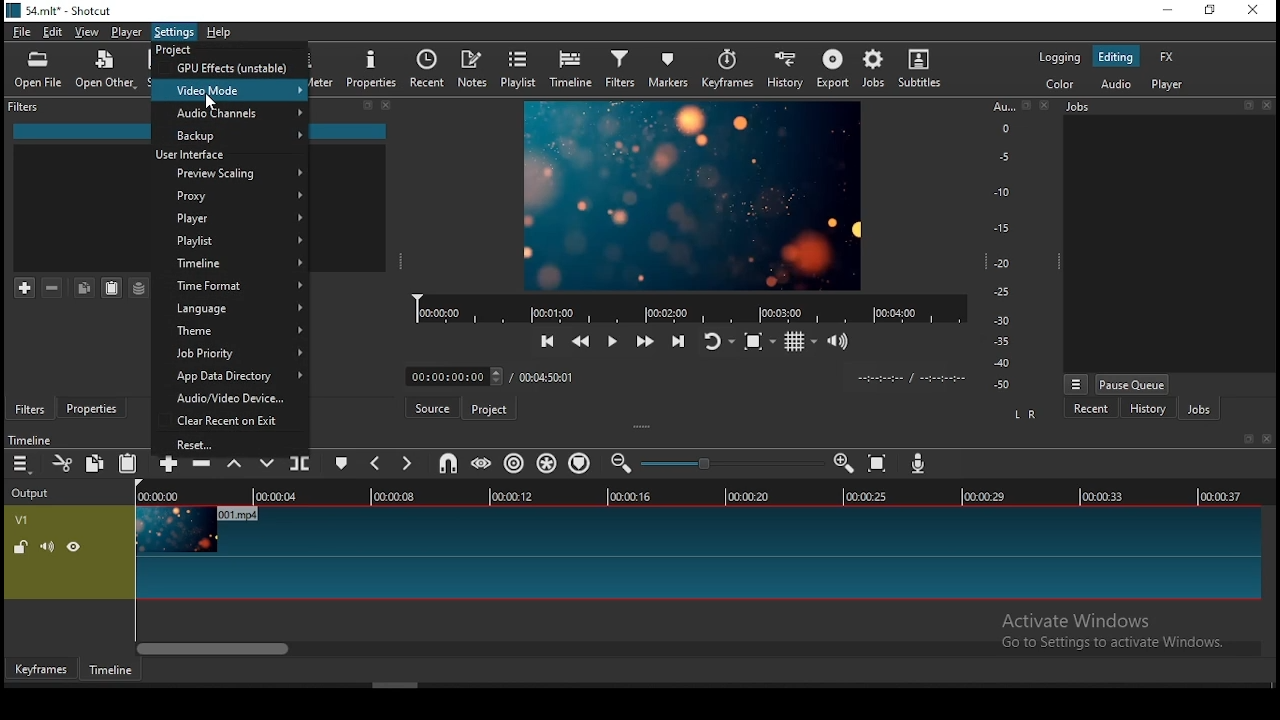 The height and width of the screenshot is (720, 1280). What do you see at coordinates (1047, 105) in the screenshot?
I see `close` at bounding box center [1047, 105].